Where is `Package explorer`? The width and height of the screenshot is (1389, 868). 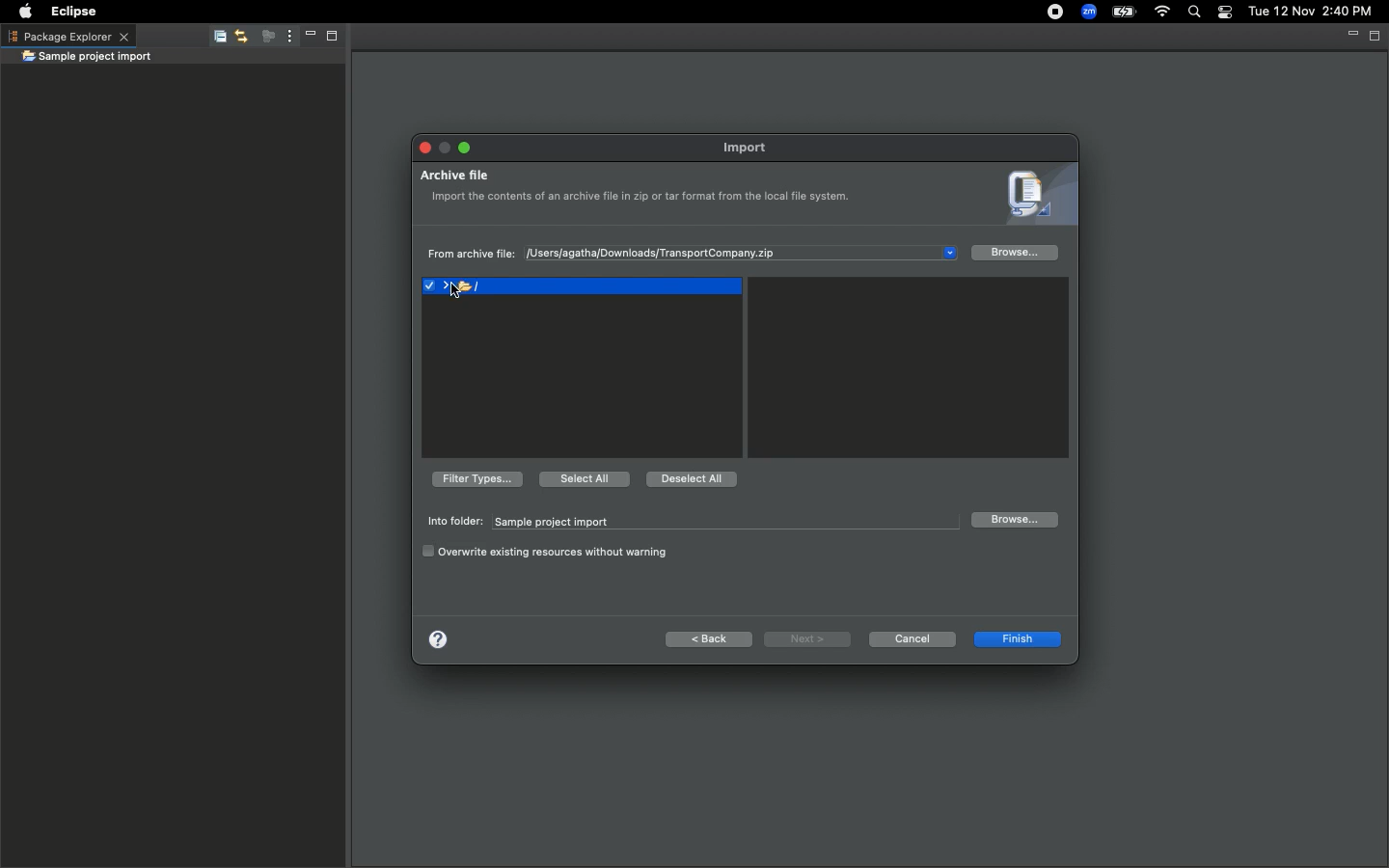 Package explorer is located at coordinates (68, 36).